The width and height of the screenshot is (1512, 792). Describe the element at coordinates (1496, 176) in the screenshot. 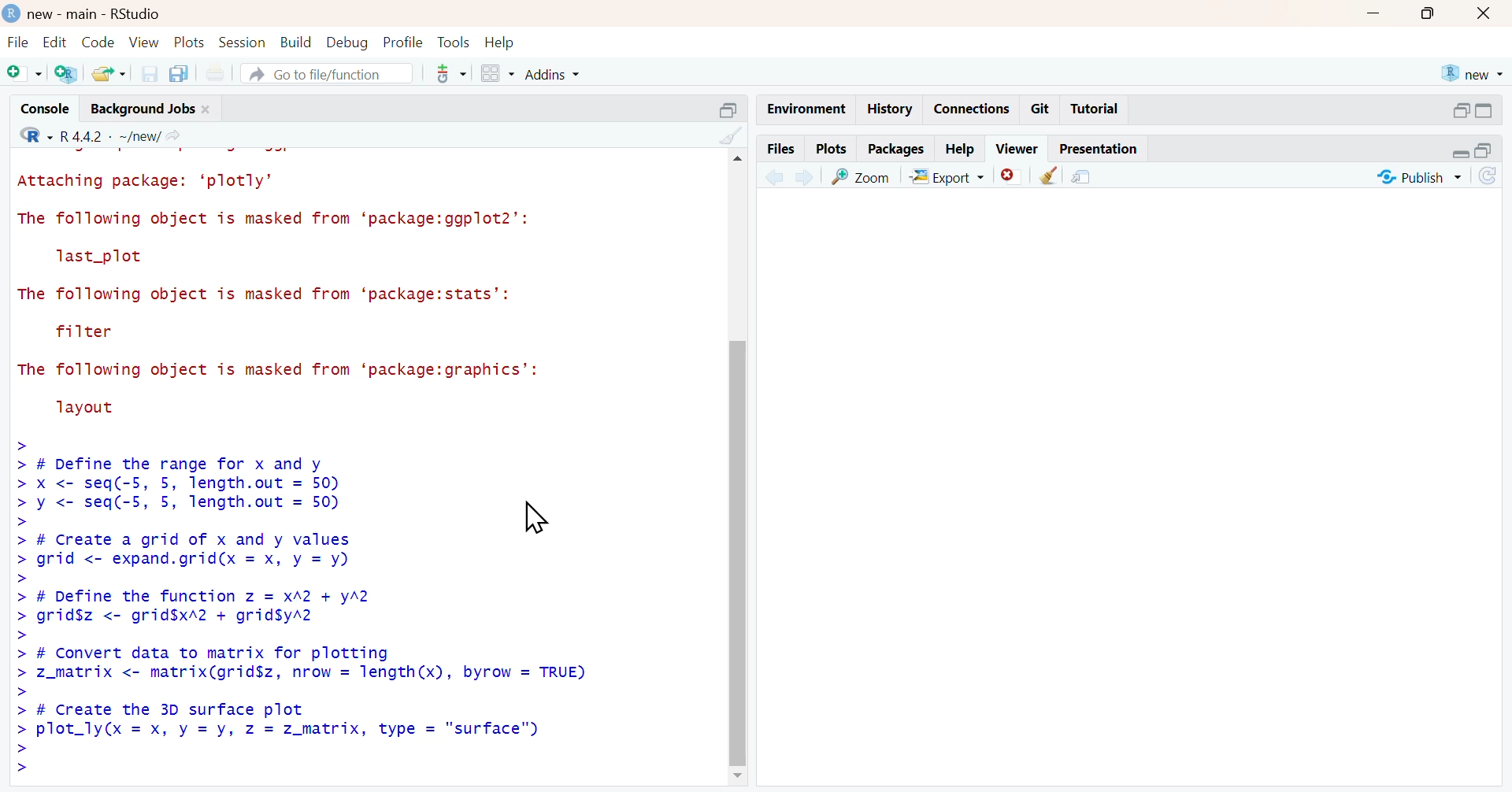

I see `refresh` at that location.